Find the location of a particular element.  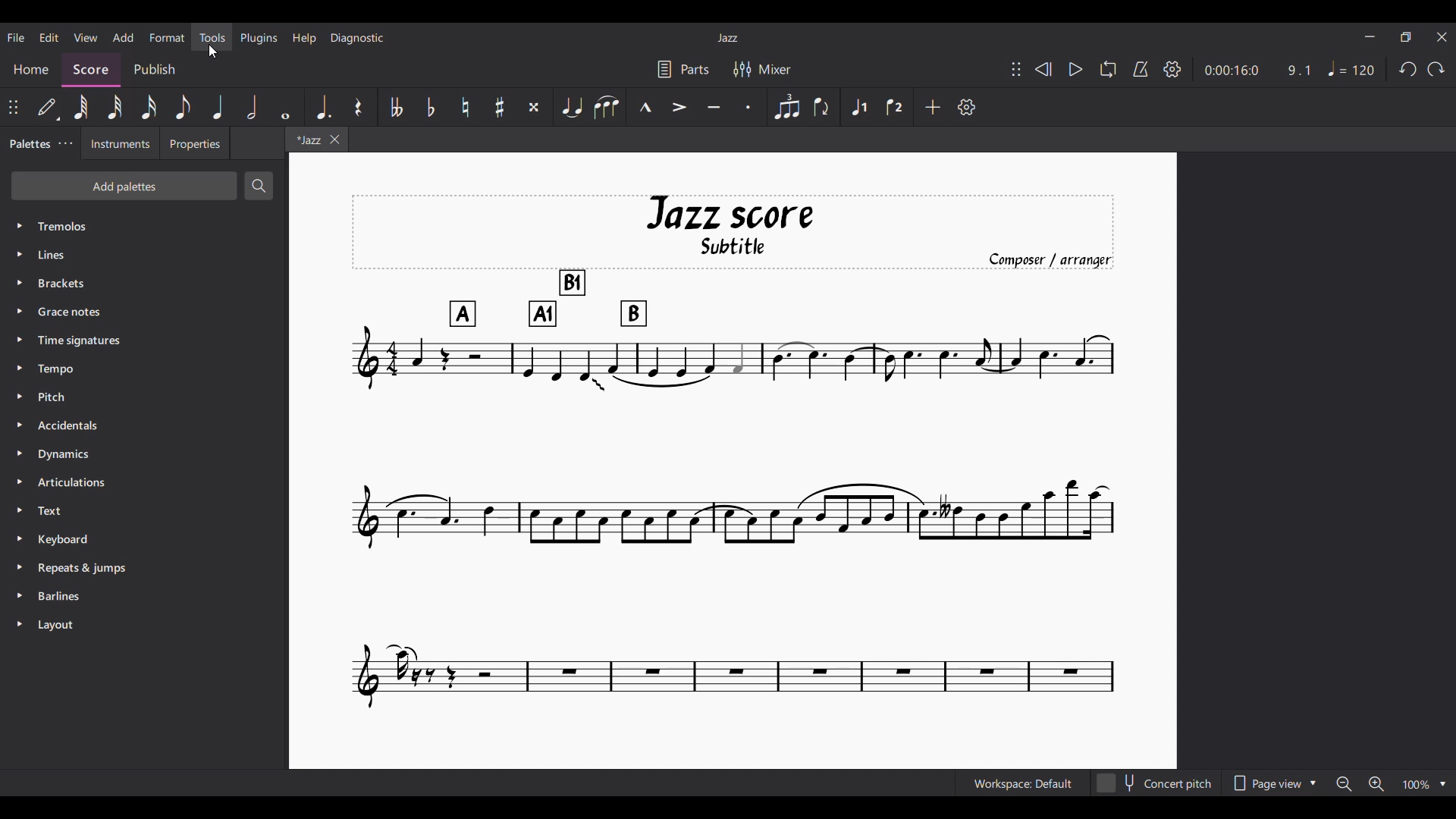

Tempo is located at coordinates (145, 368).